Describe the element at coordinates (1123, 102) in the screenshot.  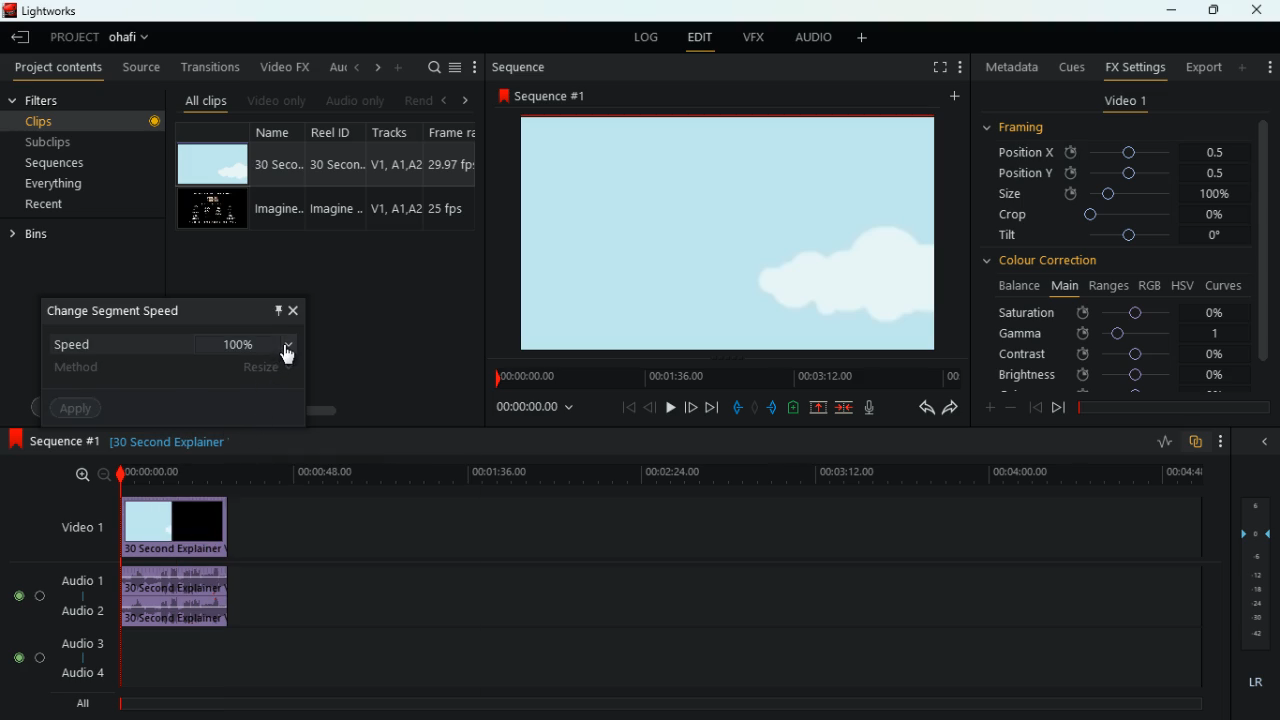
I see `video 1` at that location.